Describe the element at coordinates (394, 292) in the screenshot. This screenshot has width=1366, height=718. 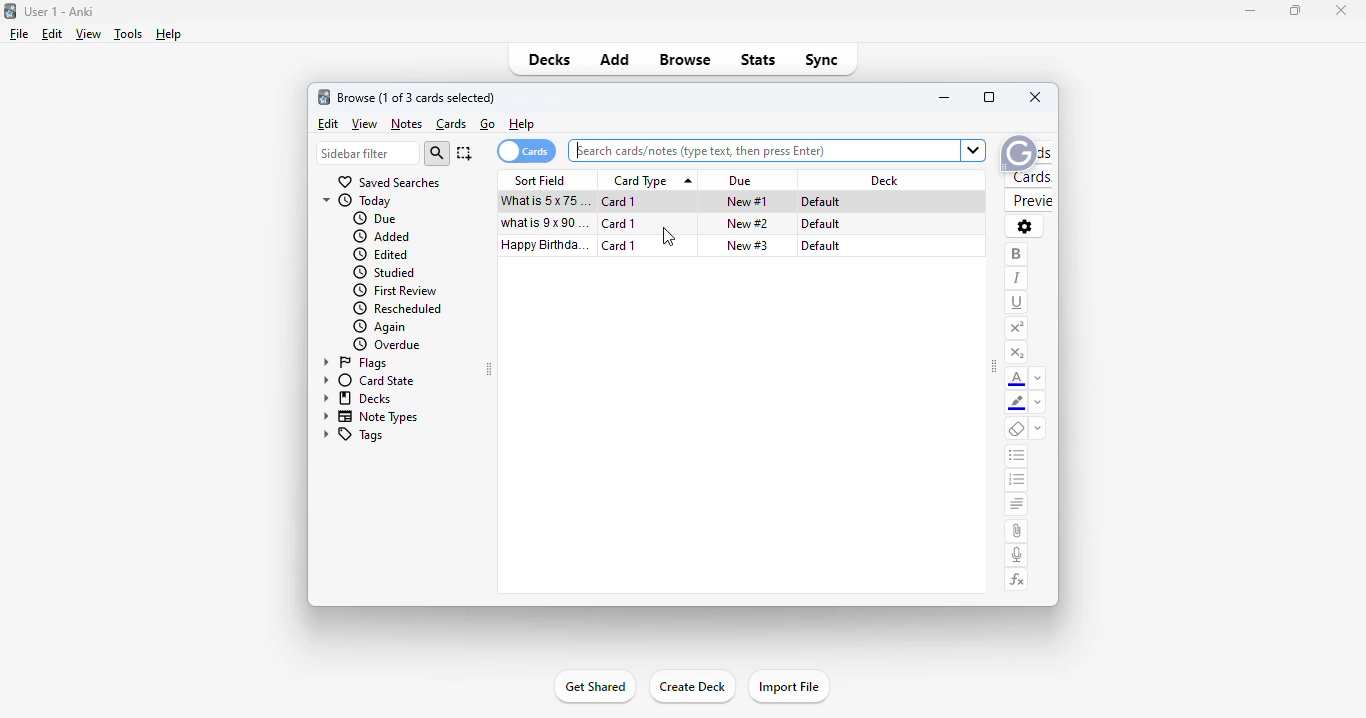
I see `first review` at that location.